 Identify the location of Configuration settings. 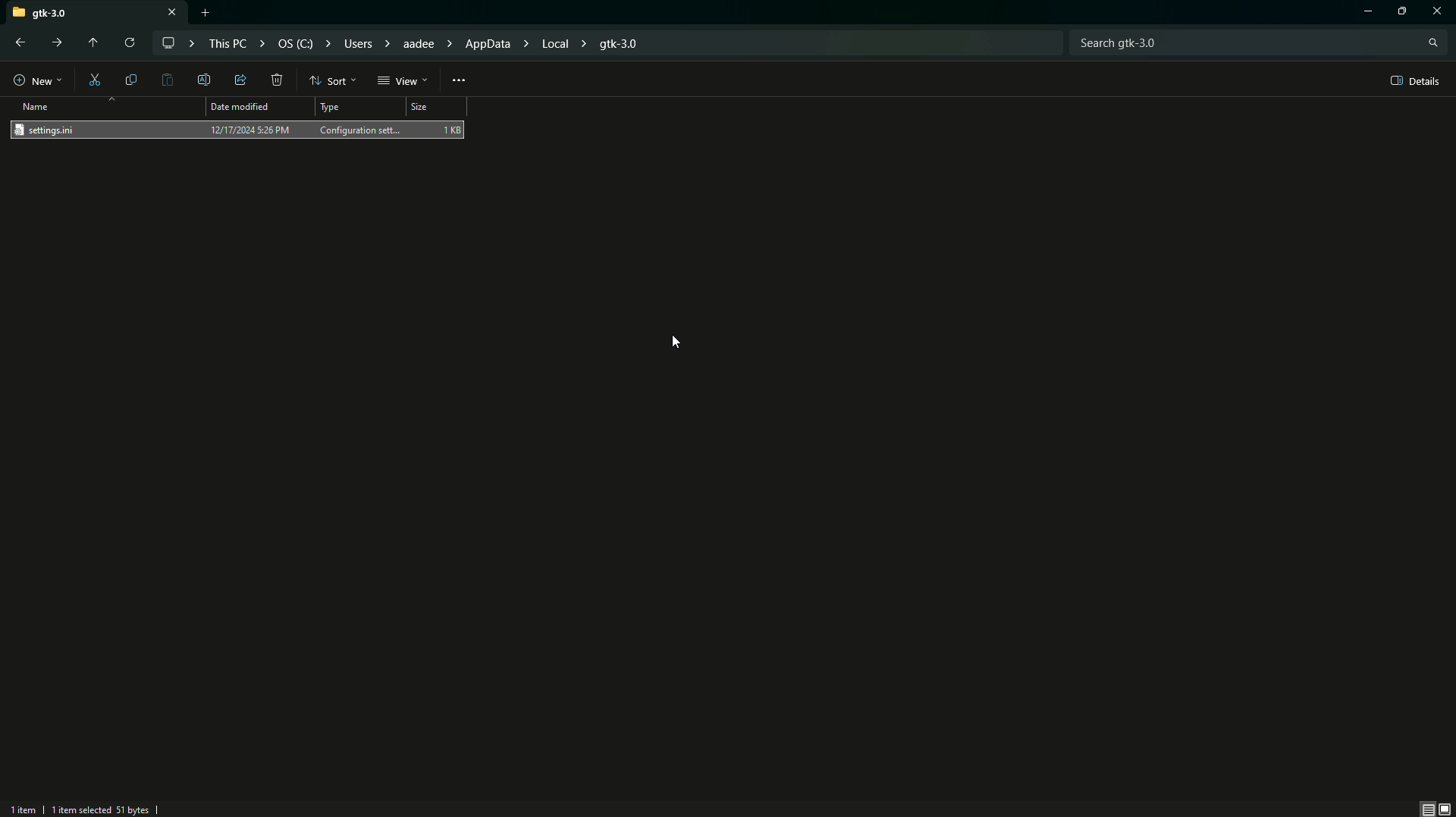
(362, 129).